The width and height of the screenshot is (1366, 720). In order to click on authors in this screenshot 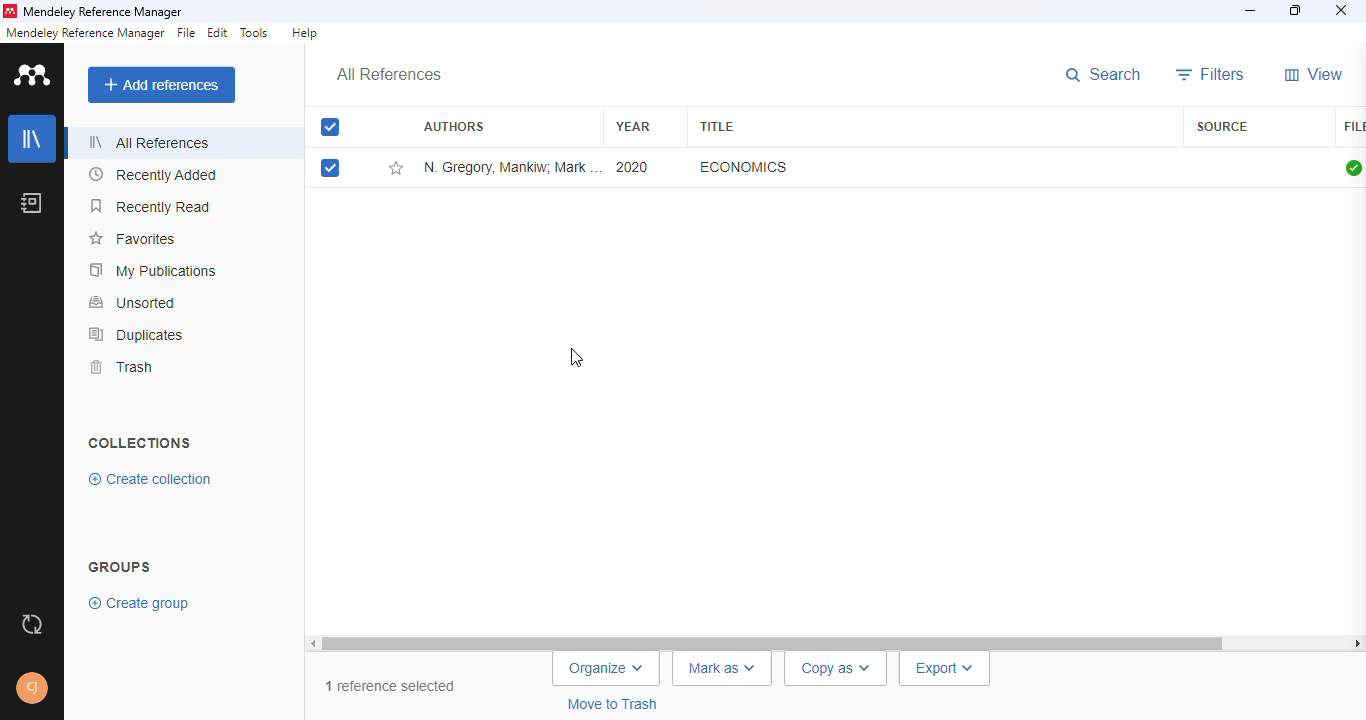, I will do `click(454, 125)`.